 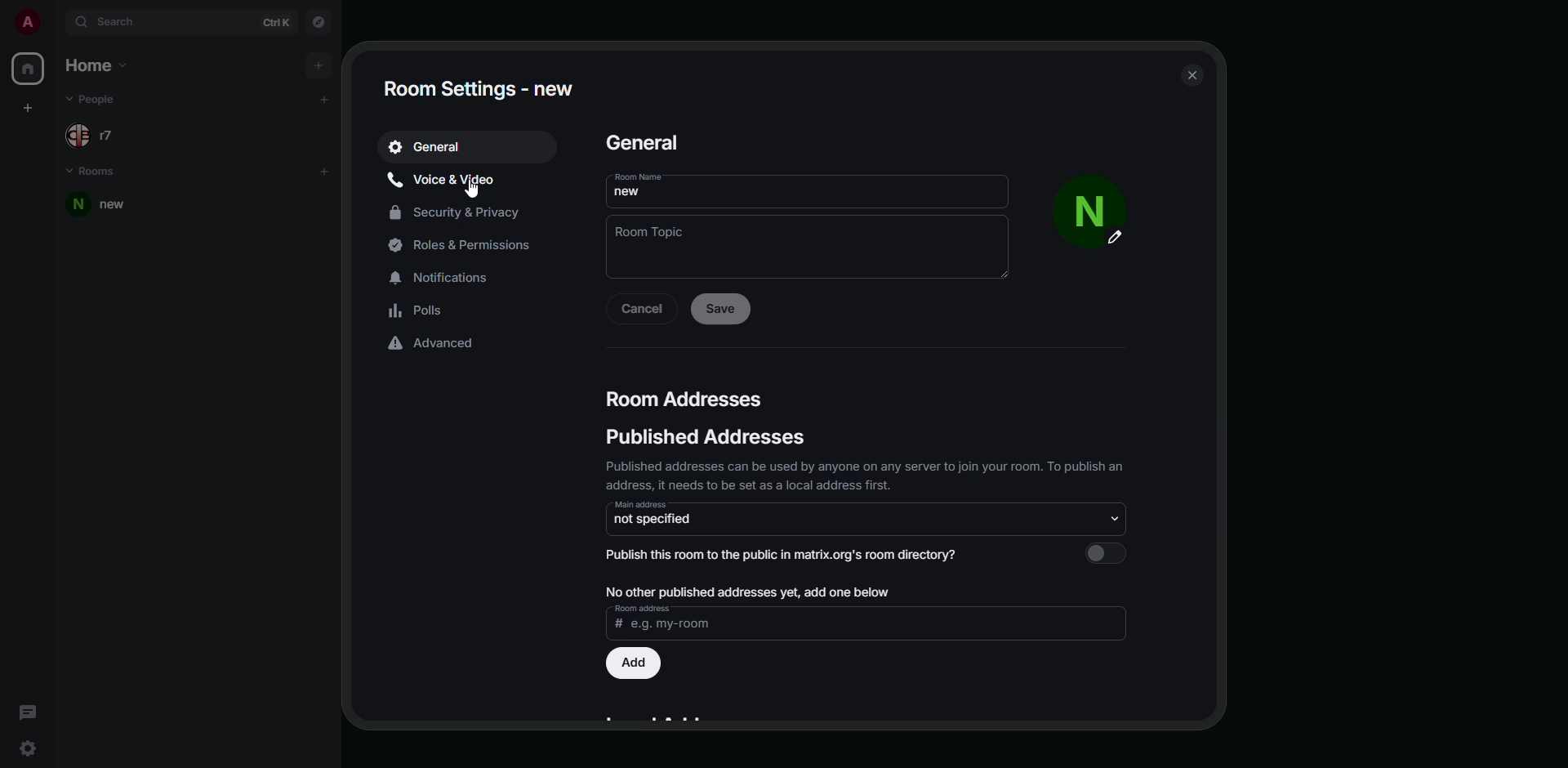 I want to click on rooms, so click(x=91, y=168).